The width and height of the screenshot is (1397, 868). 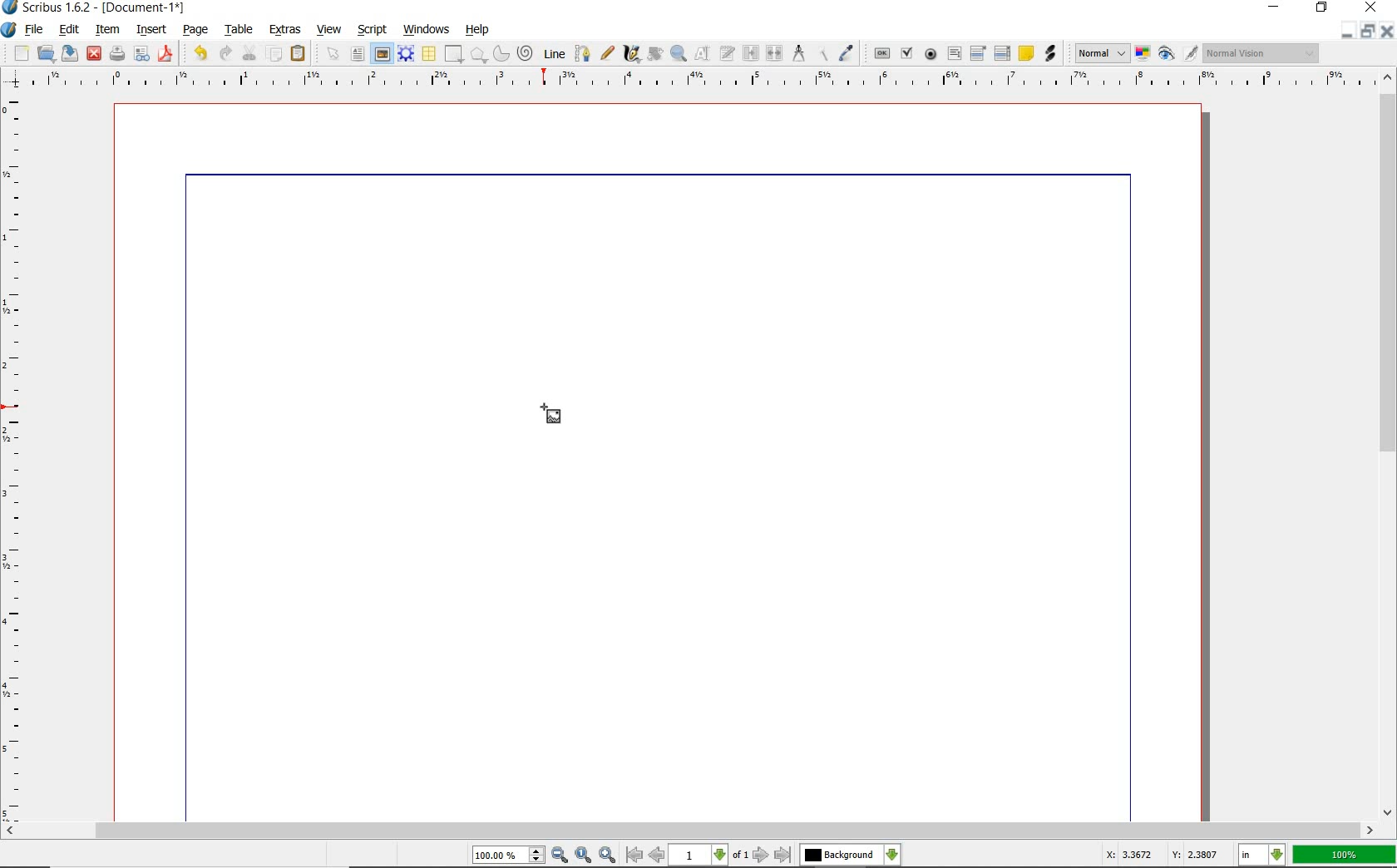 What do you see at coordinates (1026, 54) in the screenshot?
I see `text annotation` at bounding box center [1026, 54].